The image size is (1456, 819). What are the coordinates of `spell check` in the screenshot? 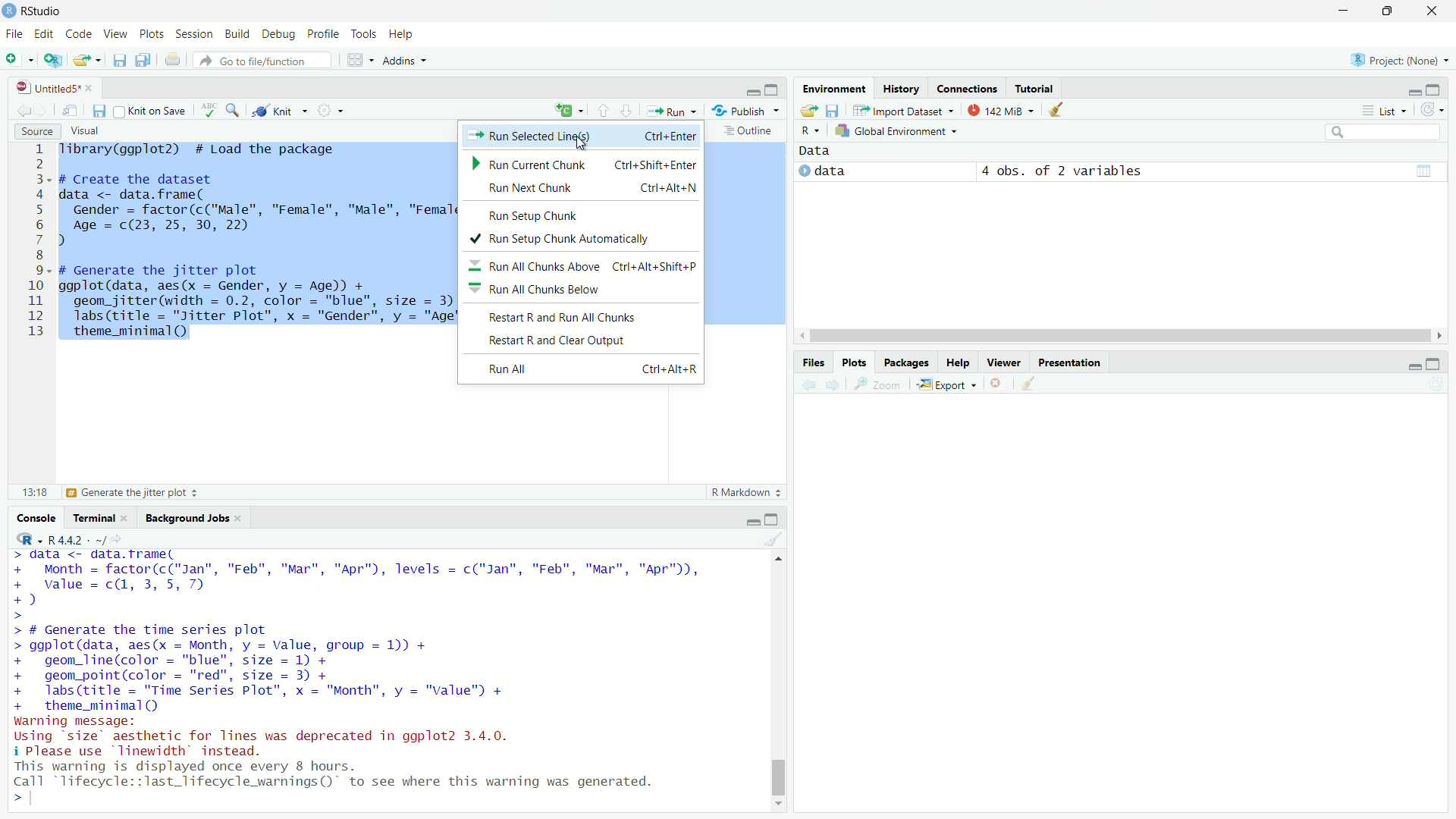 It's located at (209, 111).